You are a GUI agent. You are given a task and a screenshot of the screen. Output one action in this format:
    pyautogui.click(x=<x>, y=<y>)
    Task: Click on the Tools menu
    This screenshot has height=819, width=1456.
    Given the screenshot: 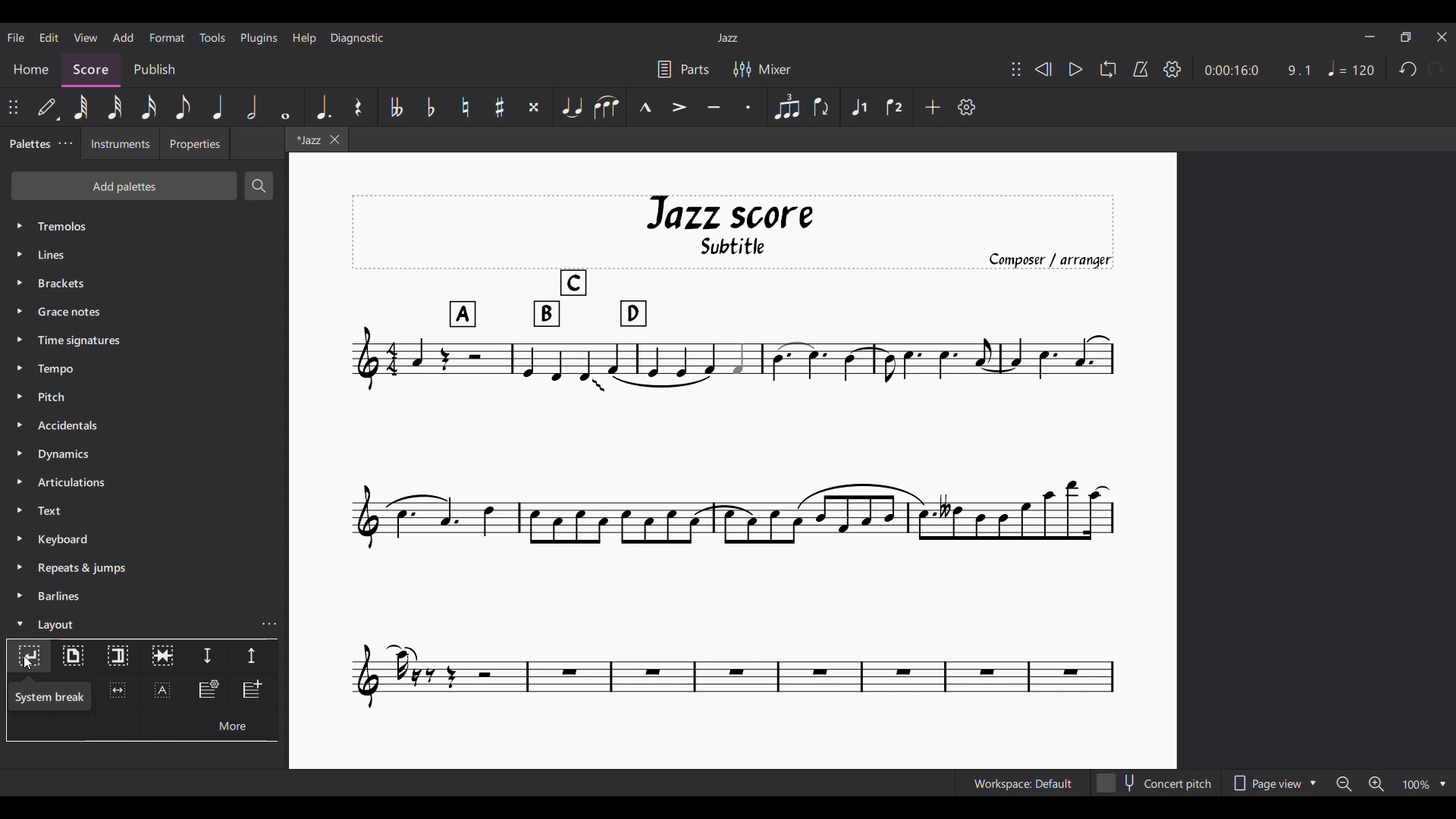 What is the action you would take?
    pyautogui.click(x=212, y=37)
    